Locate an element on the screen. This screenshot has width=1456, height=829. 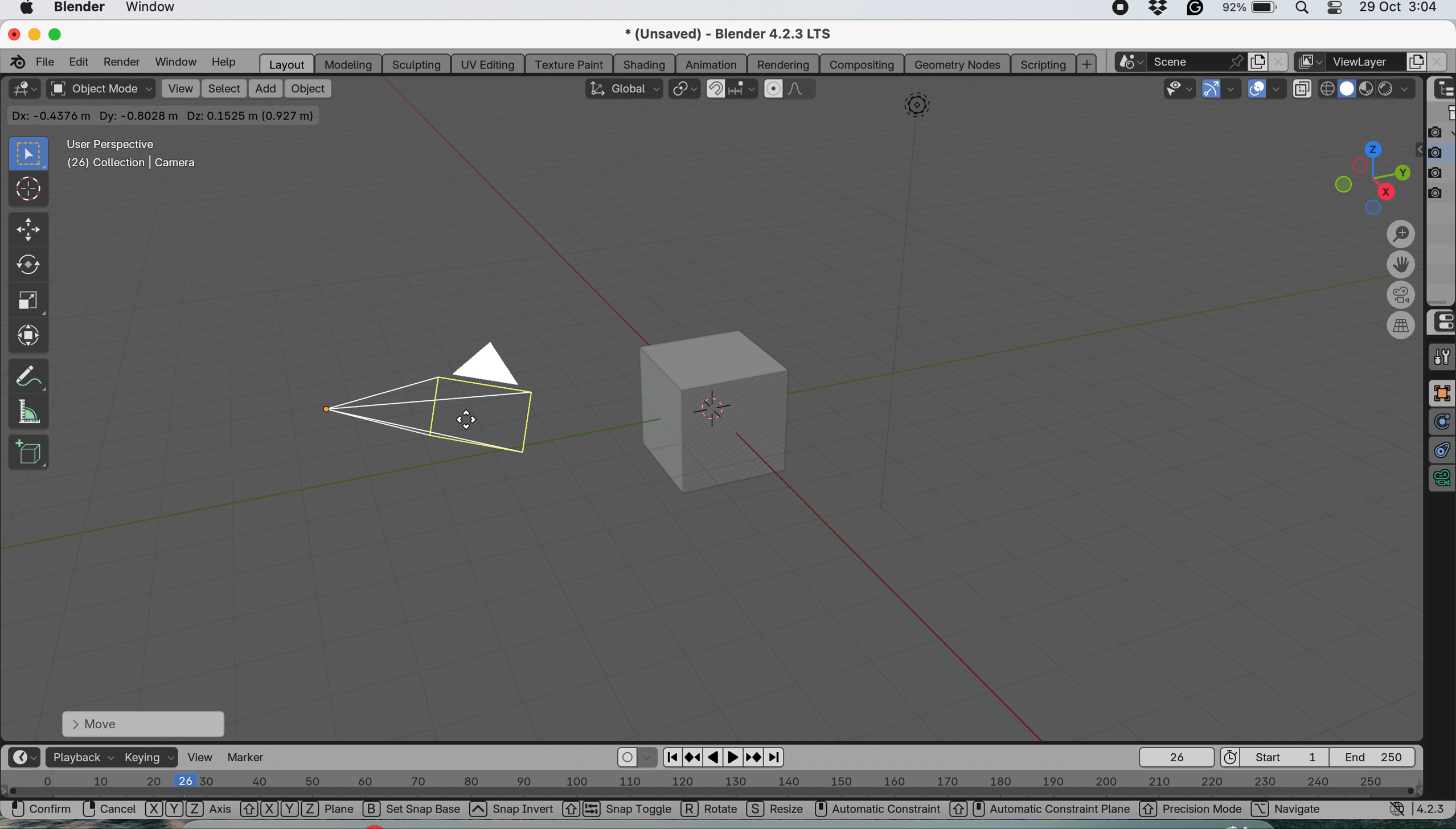
file is located at coordinates (47, 61).